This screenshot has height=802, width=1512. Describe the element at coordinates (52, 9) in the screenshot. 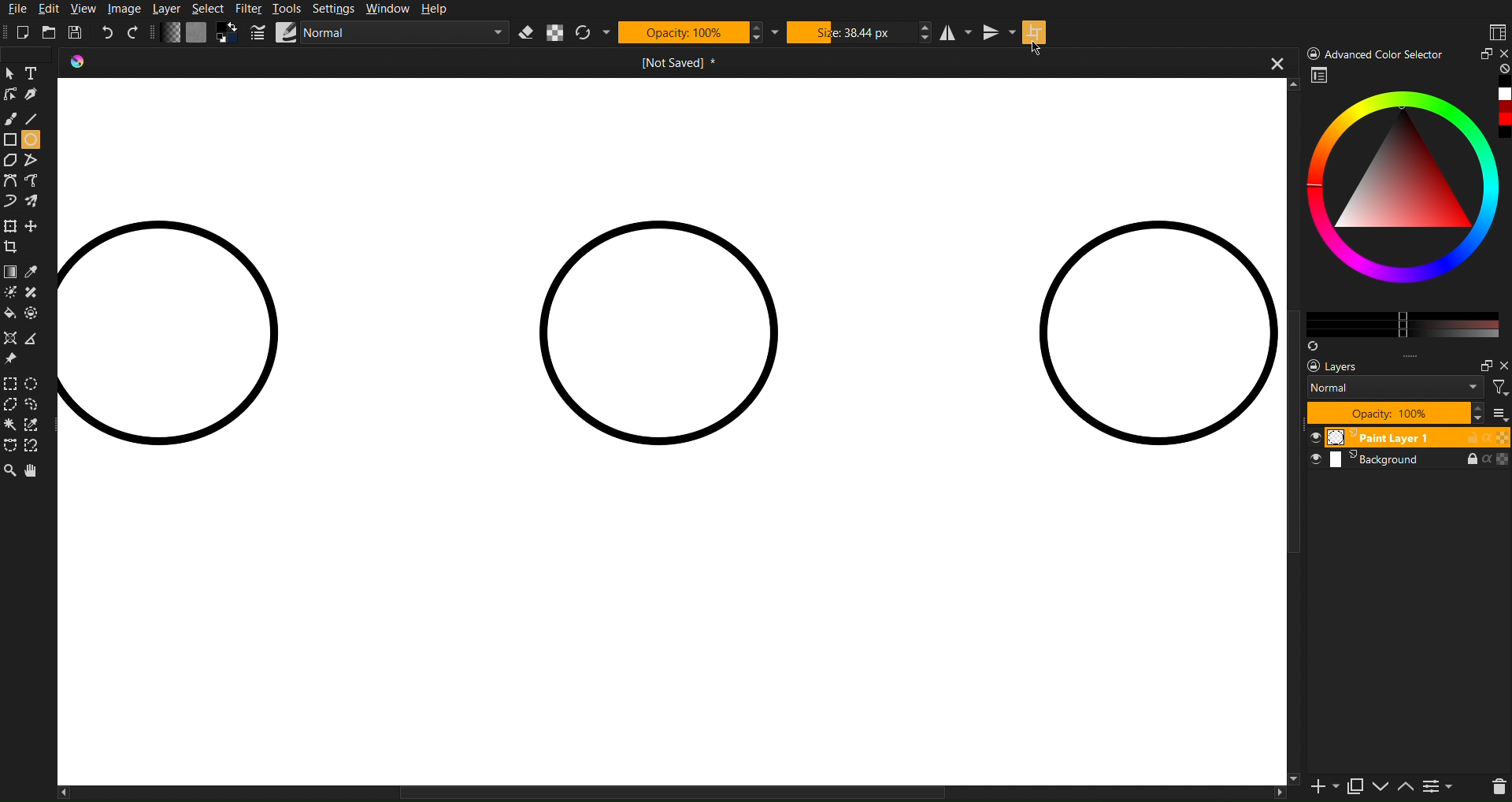

I see `Edit` at that location.